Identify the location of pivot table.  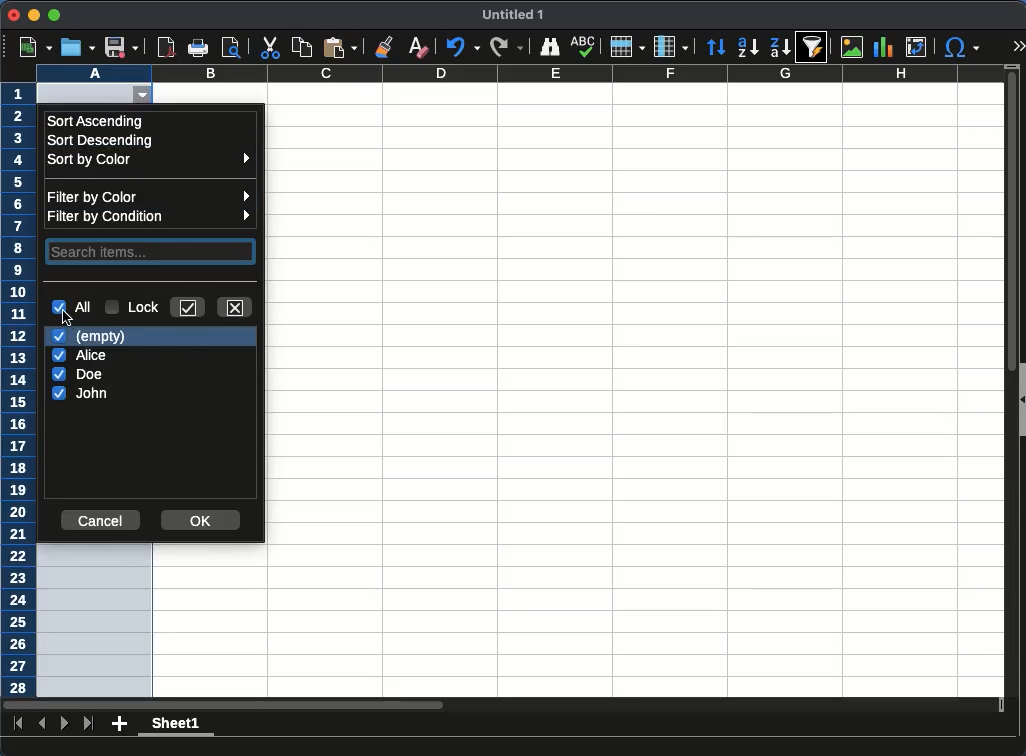
(918, 47).